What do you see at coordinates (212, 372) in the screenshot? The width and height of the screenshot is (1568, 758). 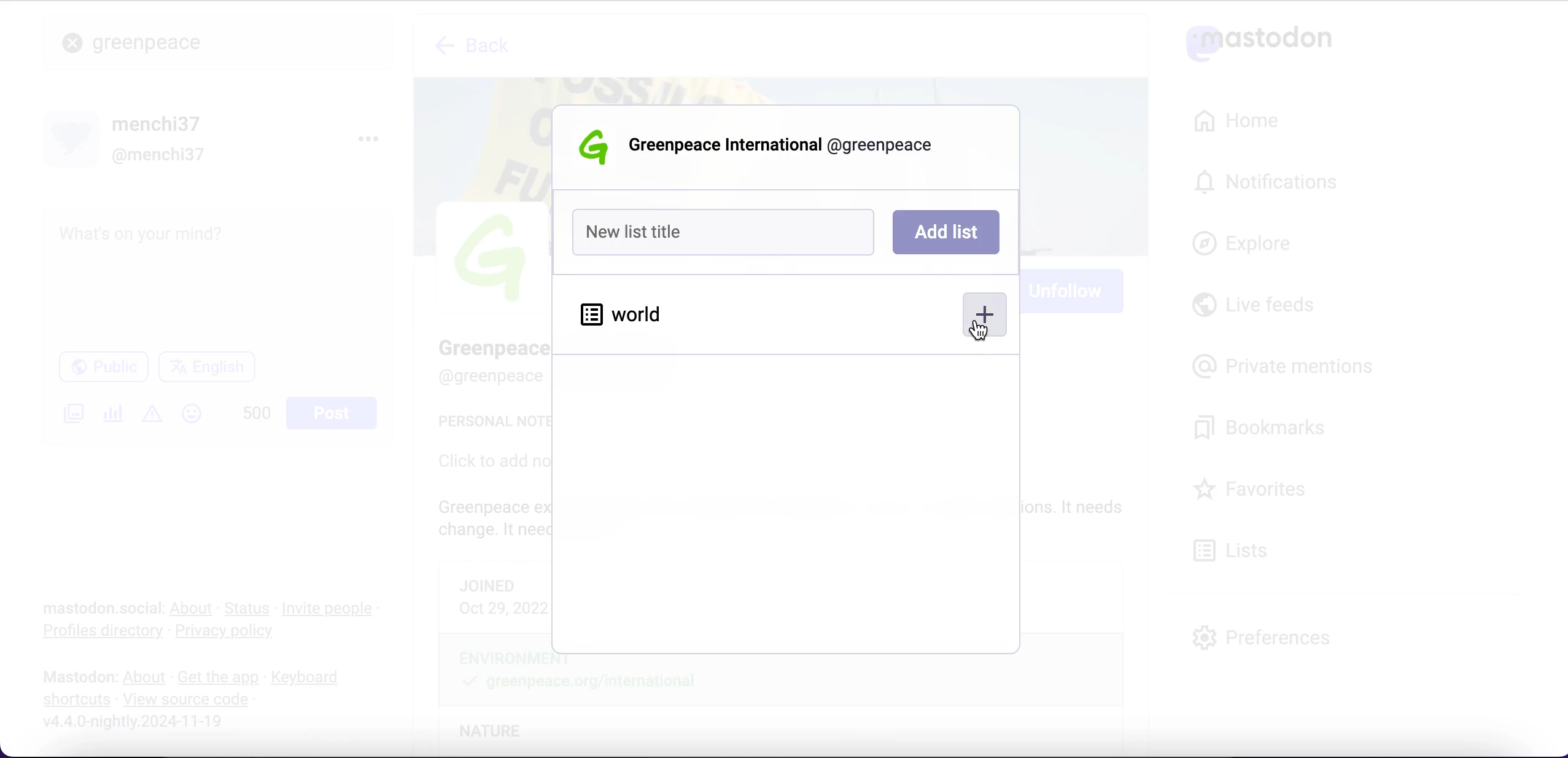 I see `language` at bounding box center [212, 372].